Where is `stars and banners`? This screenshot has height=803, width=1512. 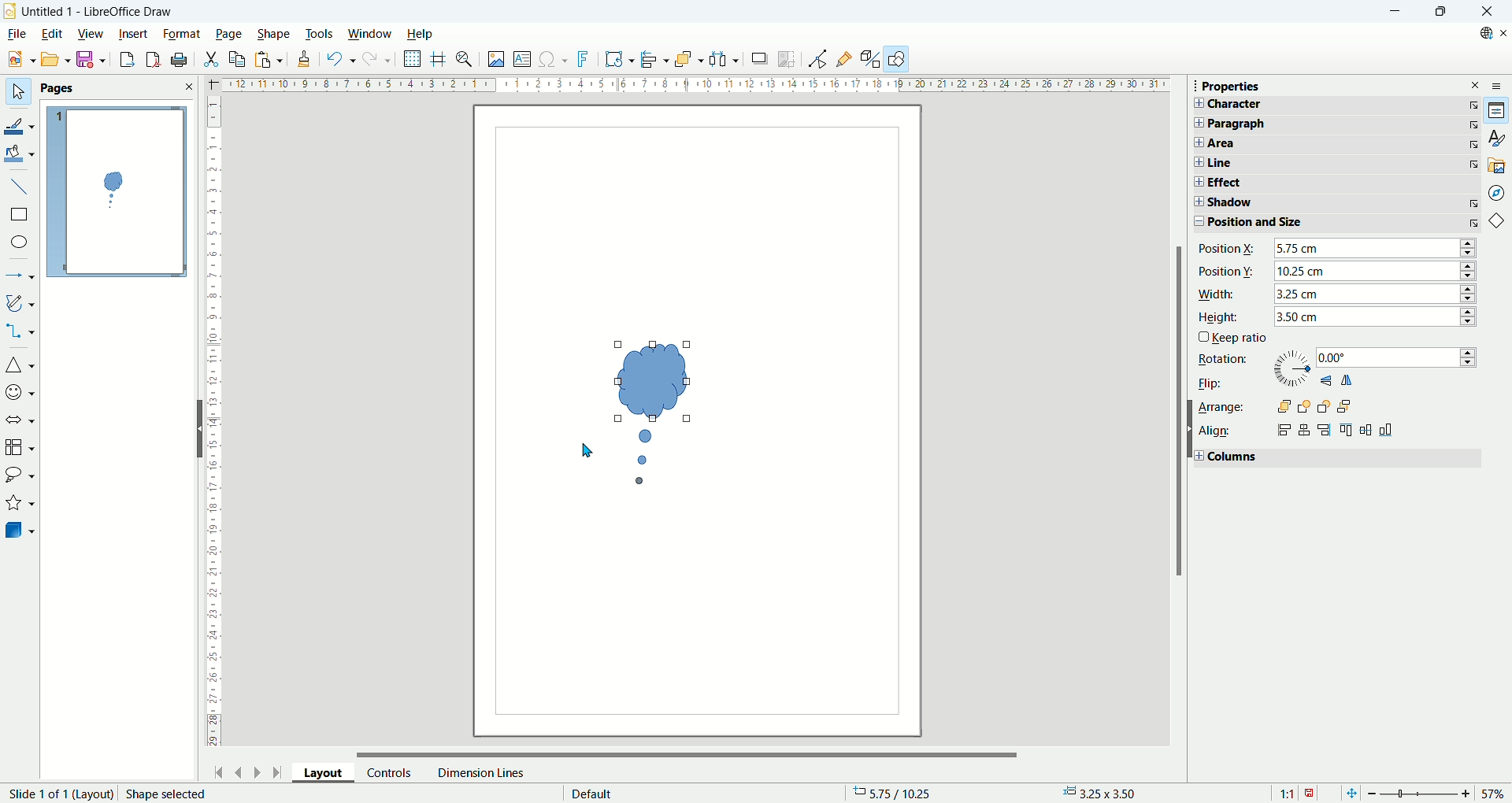 stars and banners is located at coordinates (20, 505).